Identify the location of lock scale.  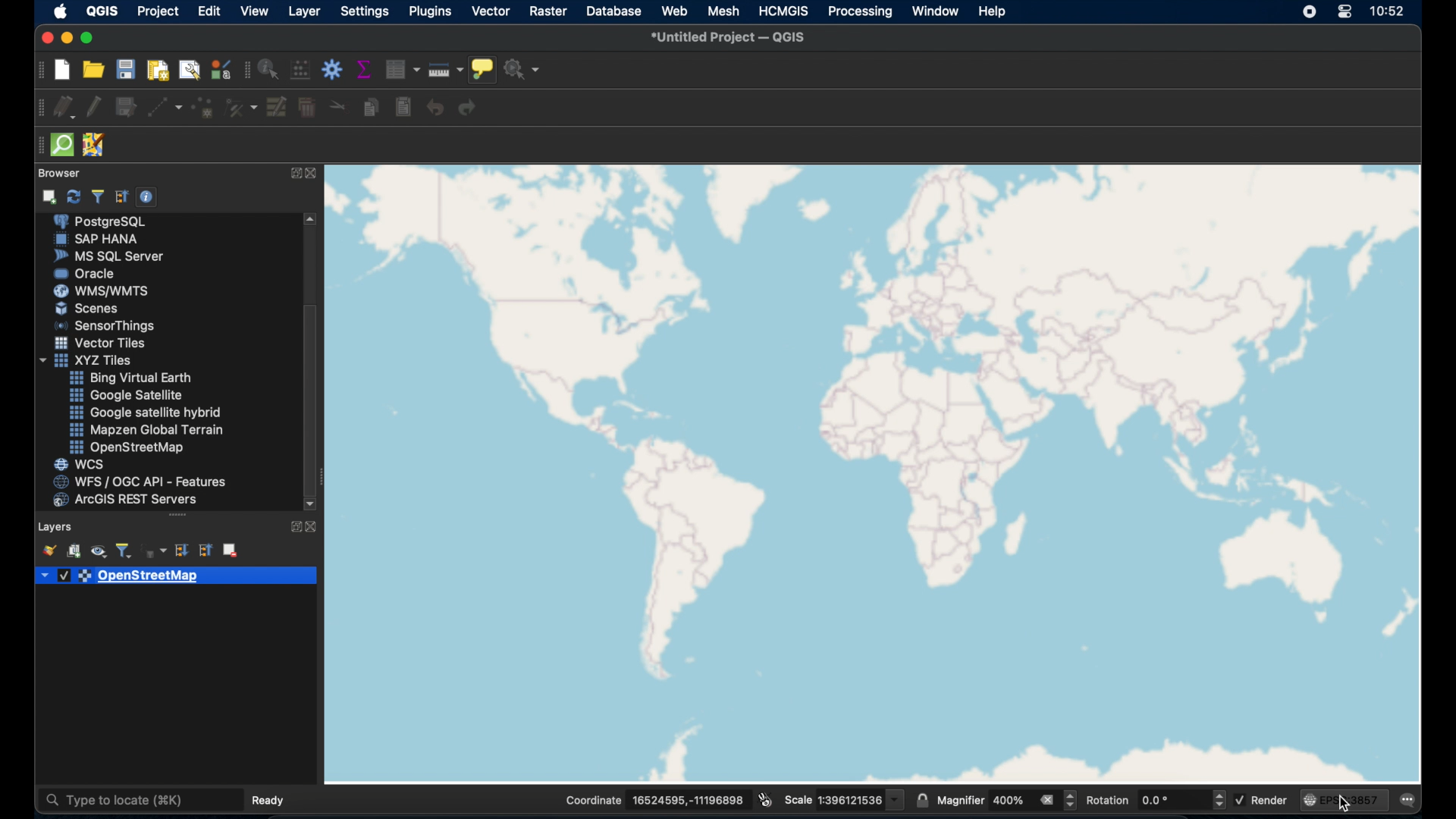
(922, 799).